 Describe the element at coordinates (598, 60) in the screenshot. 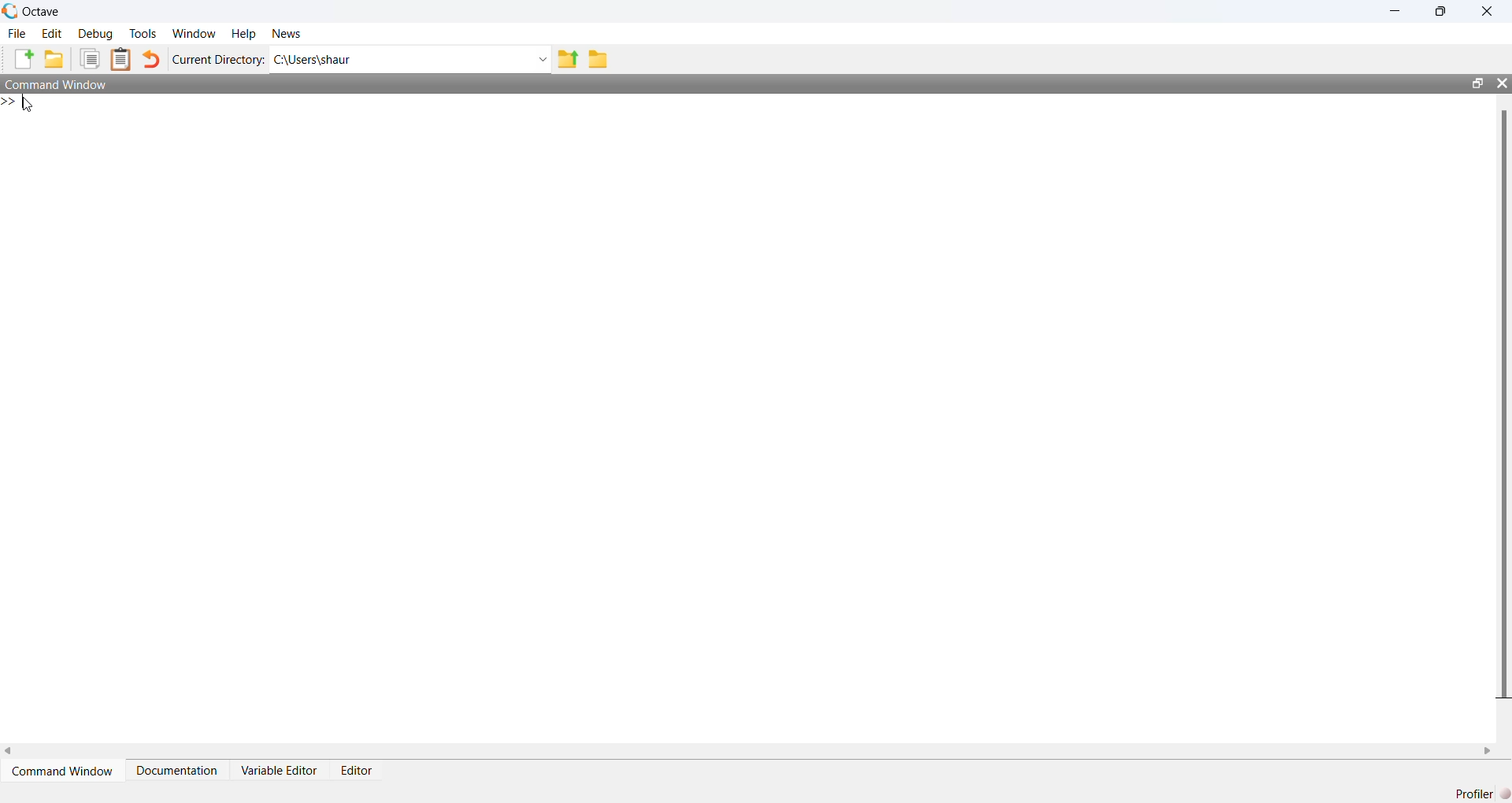

I see `folder` at that location.